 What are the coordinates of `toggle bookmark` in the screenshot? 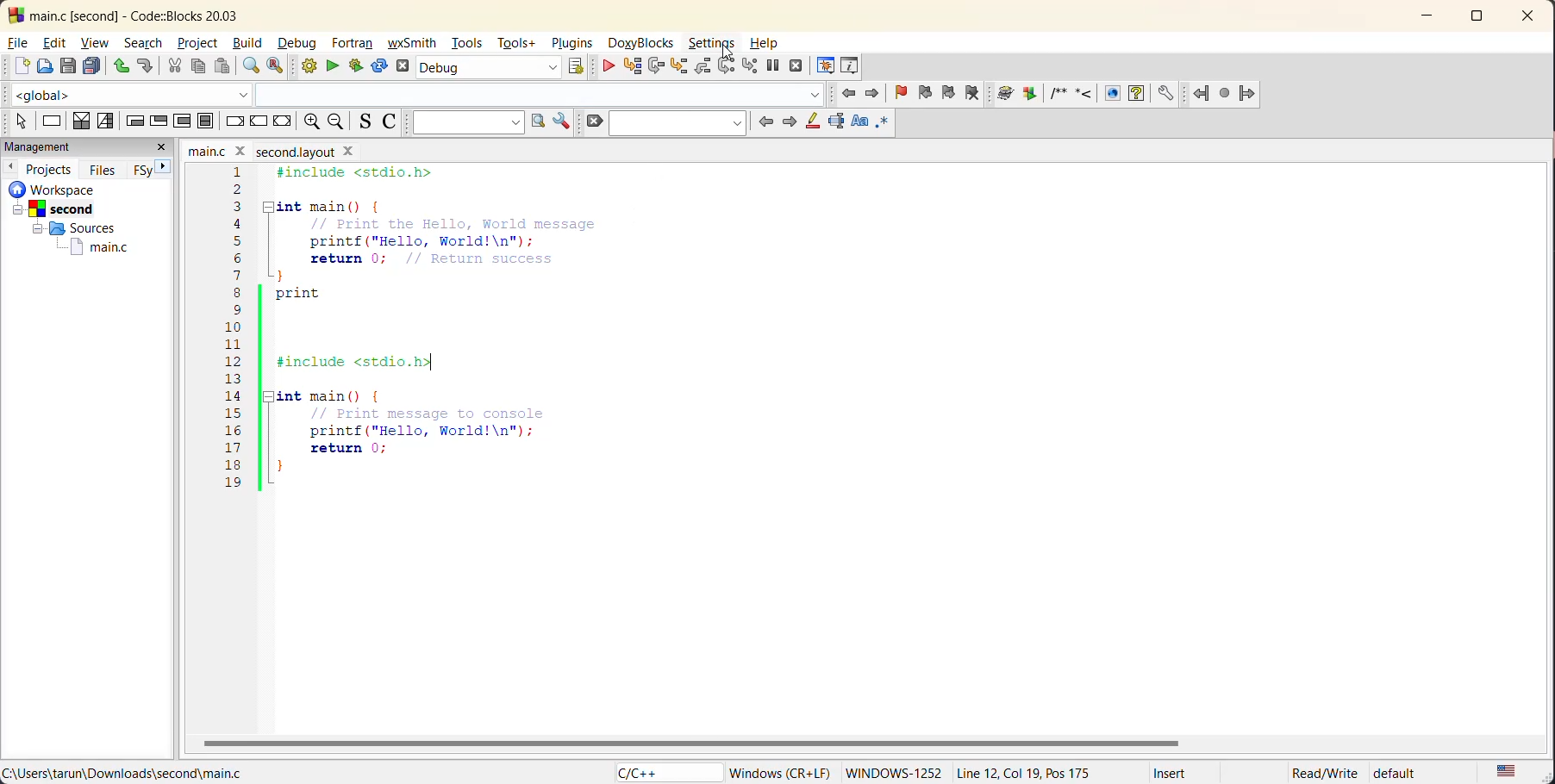 It's located at (897, 92).